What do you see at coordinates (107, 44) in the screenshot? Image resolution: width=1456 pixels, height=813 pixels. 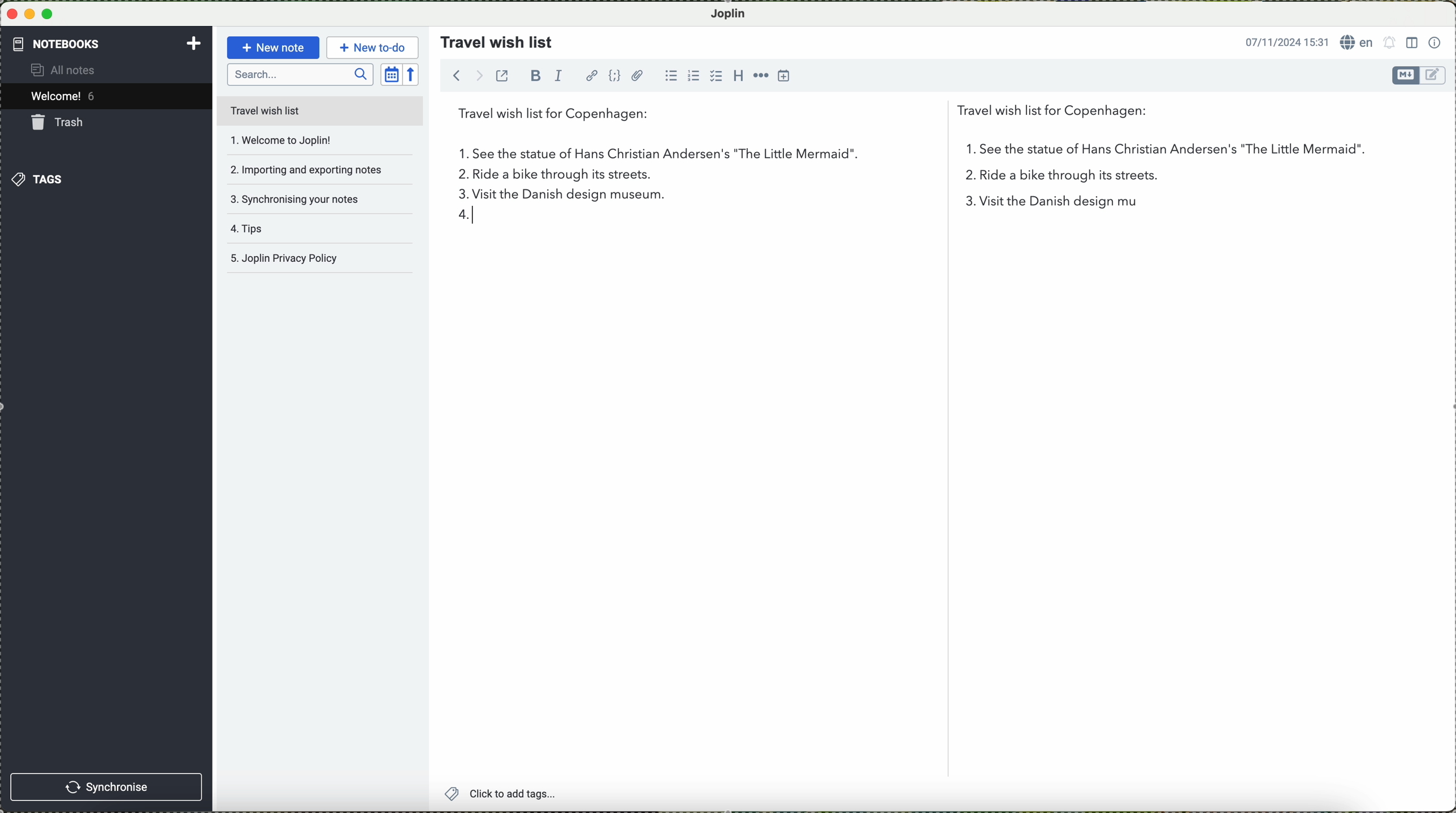 I see `notebooks tab` at bounding box center [107, 44].